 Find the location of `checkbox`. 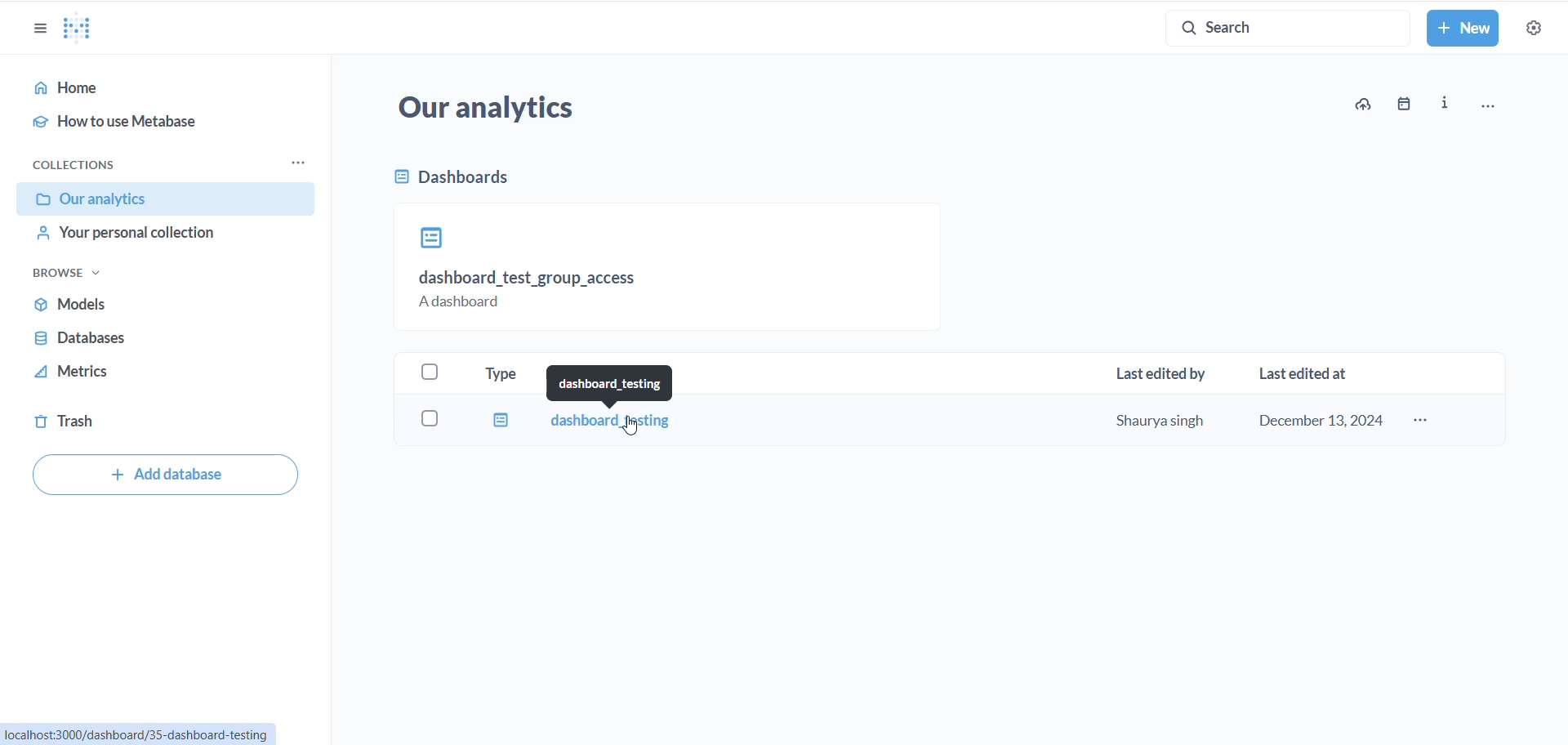

checkbox is located at coordinates (433, 417).